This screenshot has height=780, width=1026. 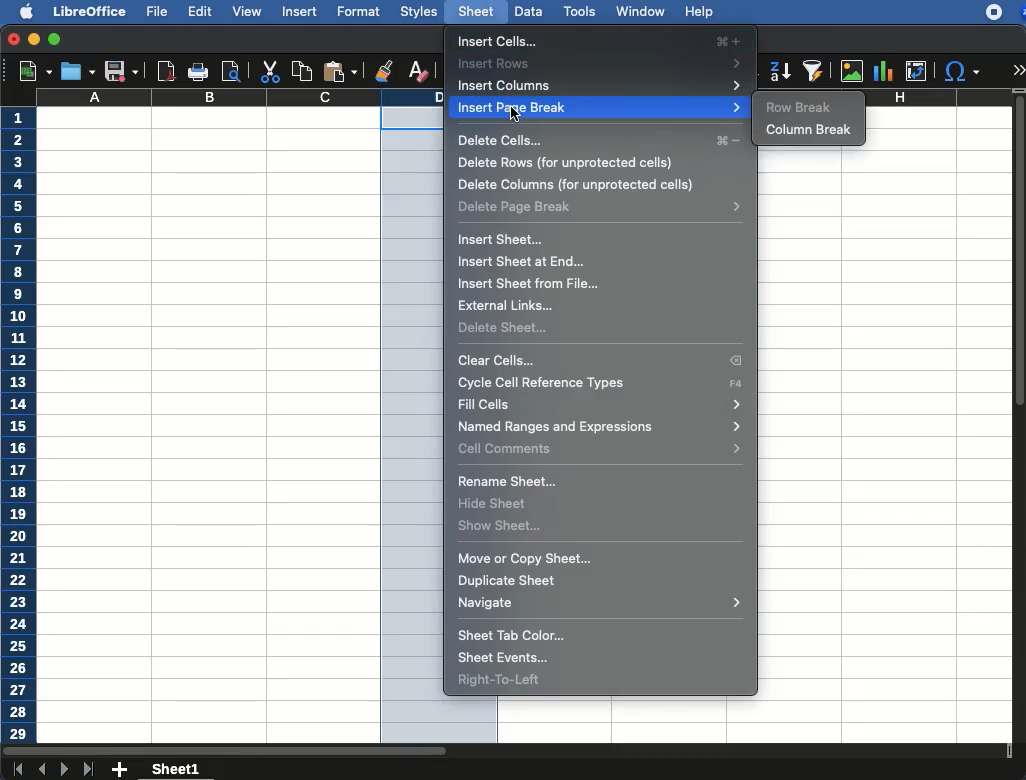 What do you see at coordinates (43, 770) in the screenshot?
I see `previous sheet` at bounding box center [43, 770].